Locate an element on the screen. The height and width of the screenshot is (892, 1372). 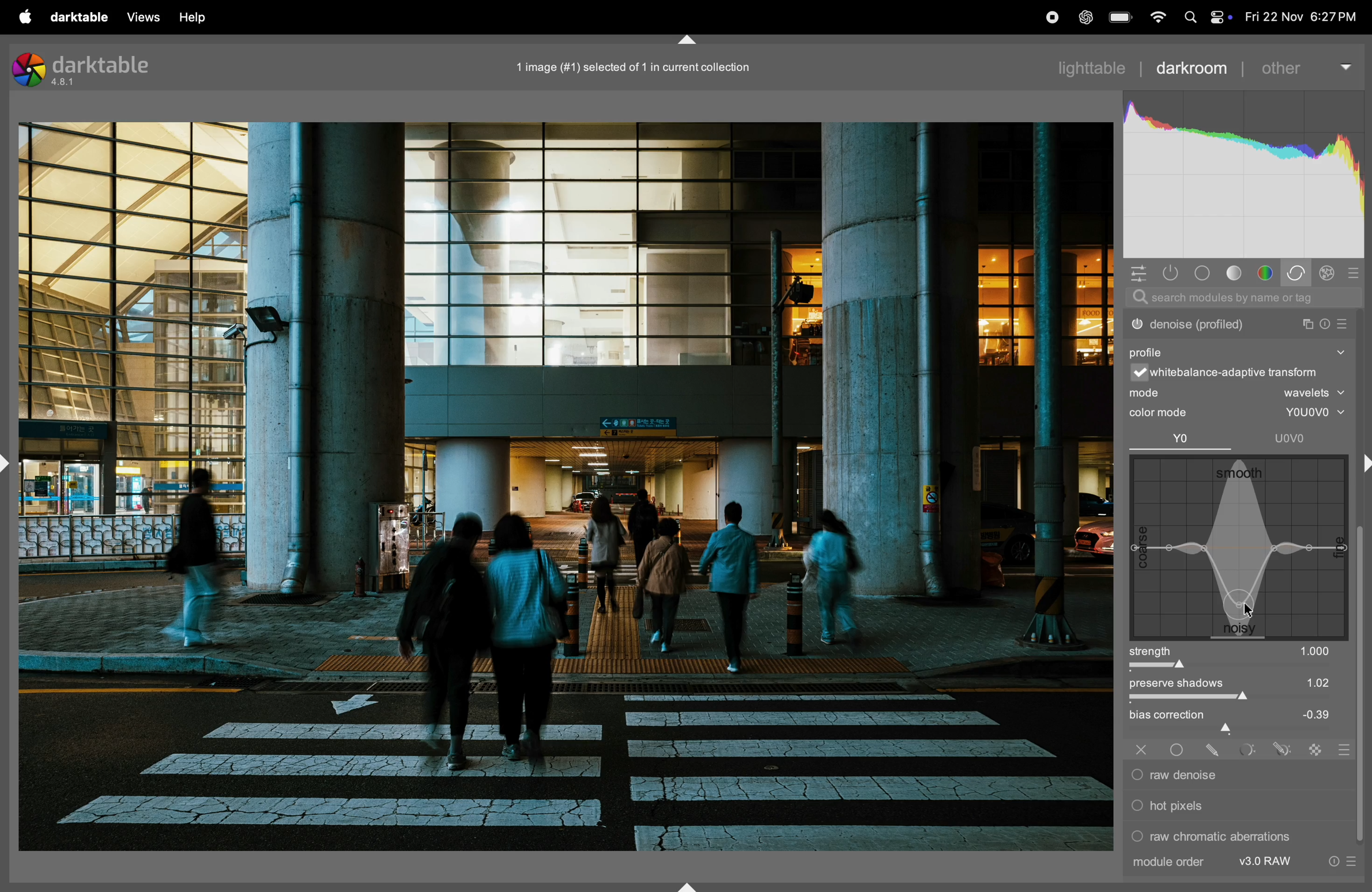
profile is located at coordinates (1147, 352).